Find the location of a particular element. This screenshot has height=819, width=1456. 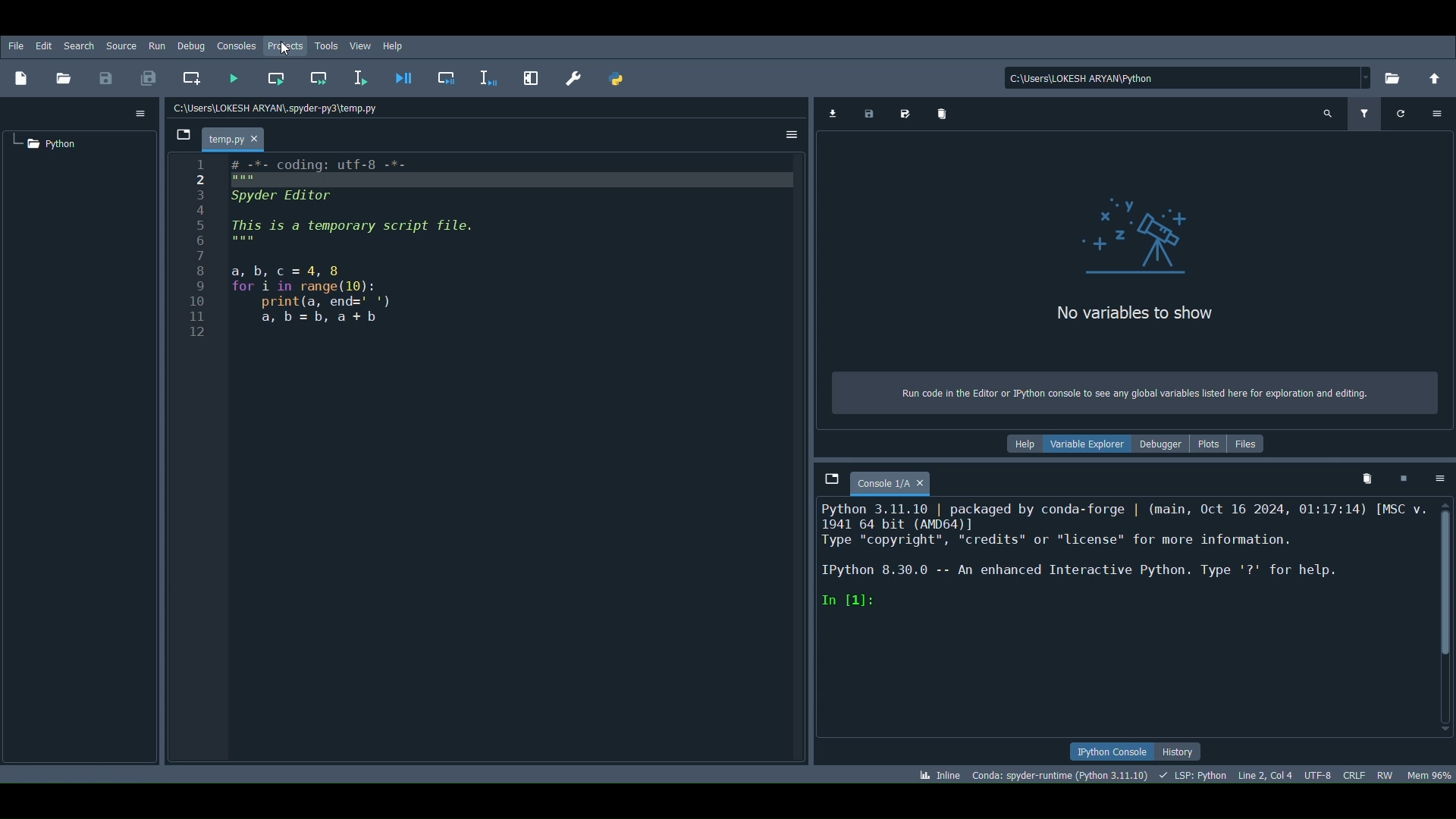

File EOL status is located at coordinates (1356, 773).